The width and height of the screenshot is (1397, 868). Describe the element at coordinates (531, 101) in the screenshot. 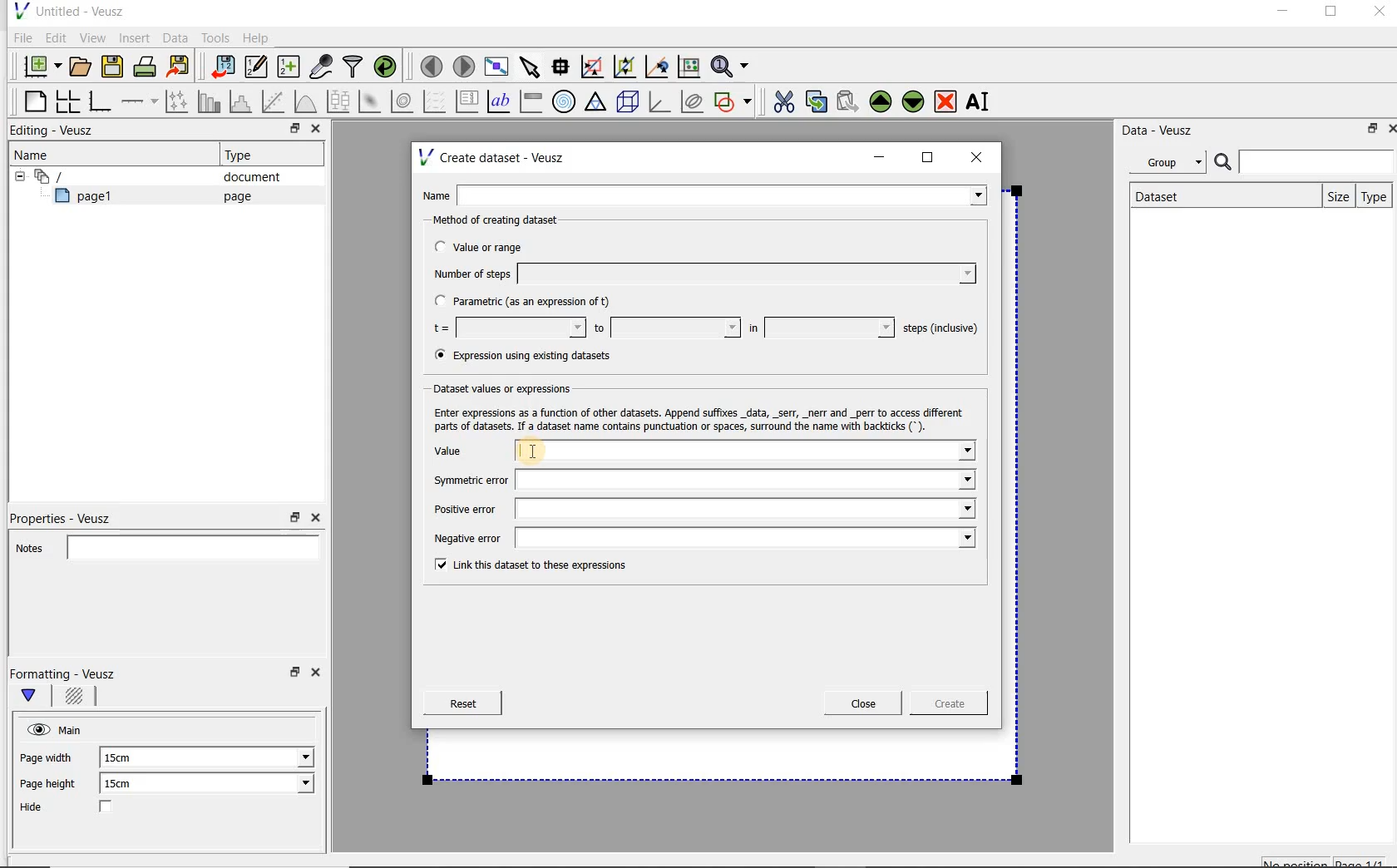

I see `image color bar` at that location.